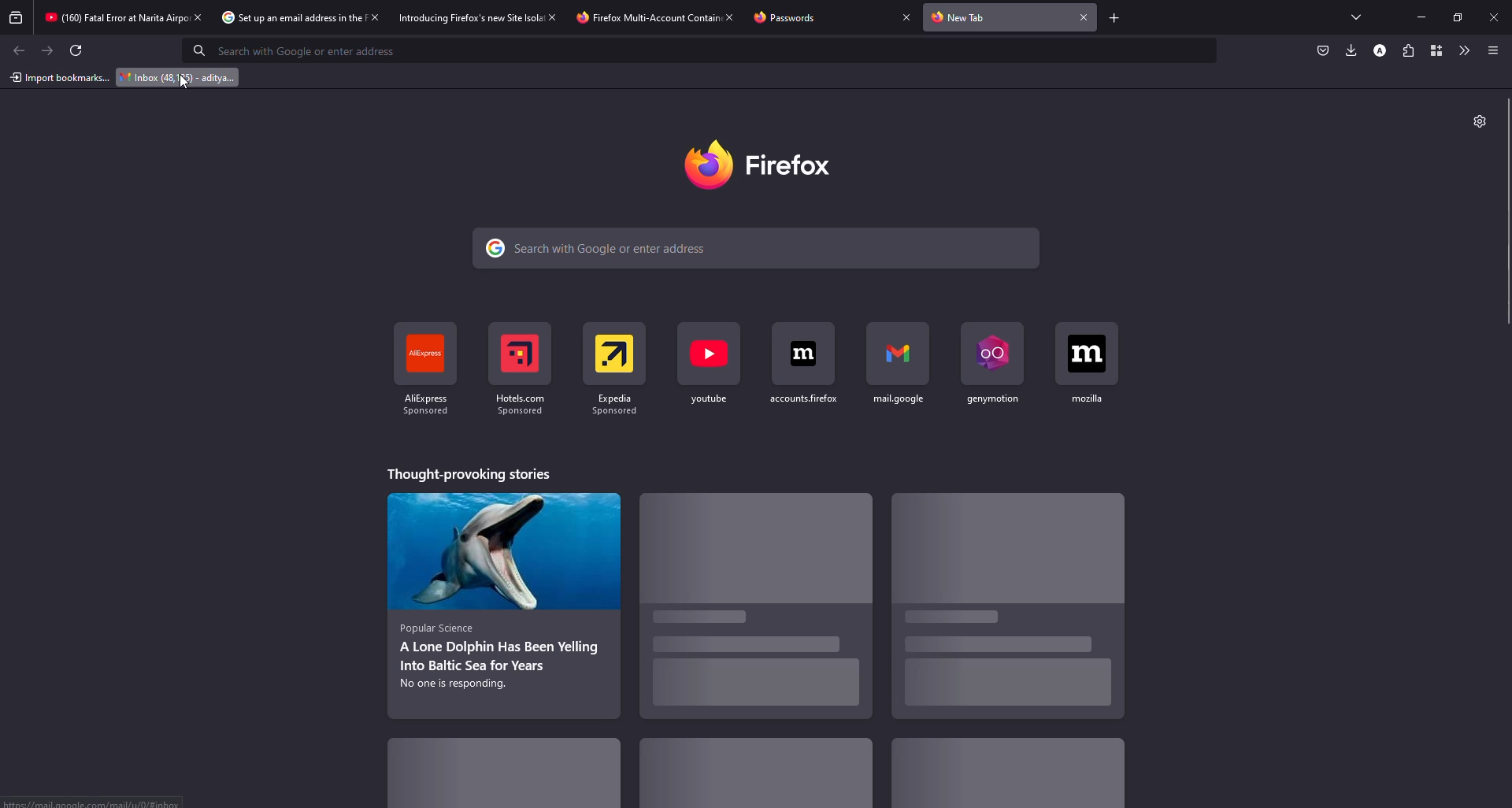  Describe the element at coordinates (198, 17) in the screenshot. I see `close` at that location.